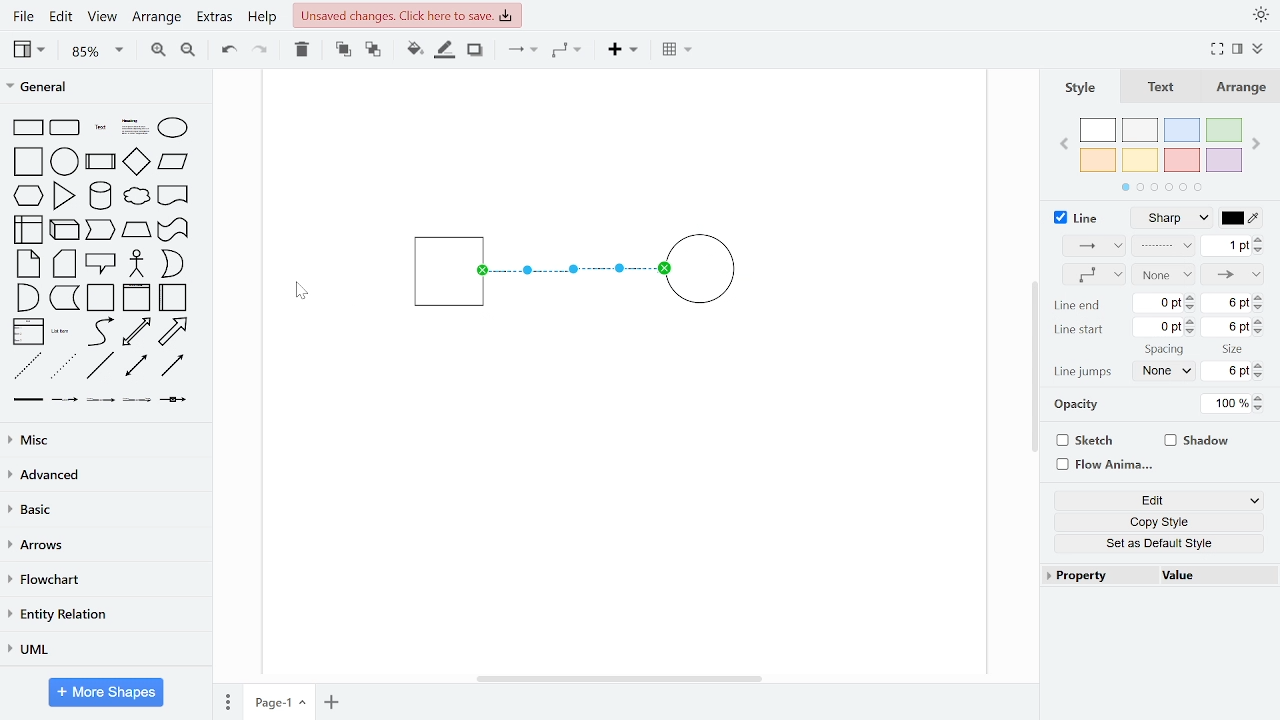 Image resolution: width=1280 pixels, height=720 pixels. Describe the element at coordinates (226, 699) in the screenshot. I see `pages` at that location.